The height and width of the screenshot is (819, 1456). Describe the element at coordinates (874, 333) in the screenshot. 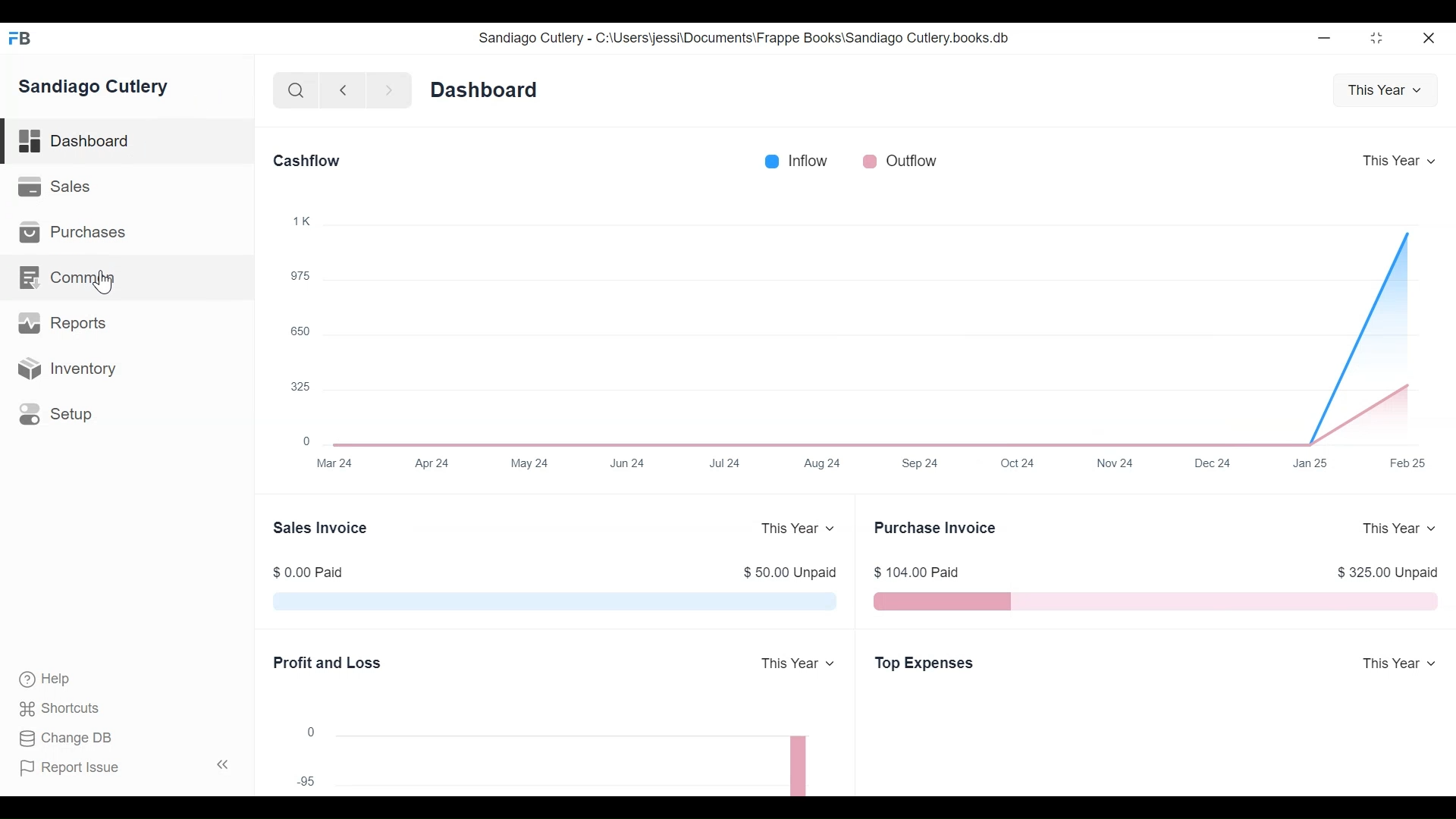

I see `The Cashflow chart shows the total amount of money being transferred into and out of Sandiago Cutlery company over a year` at that location.